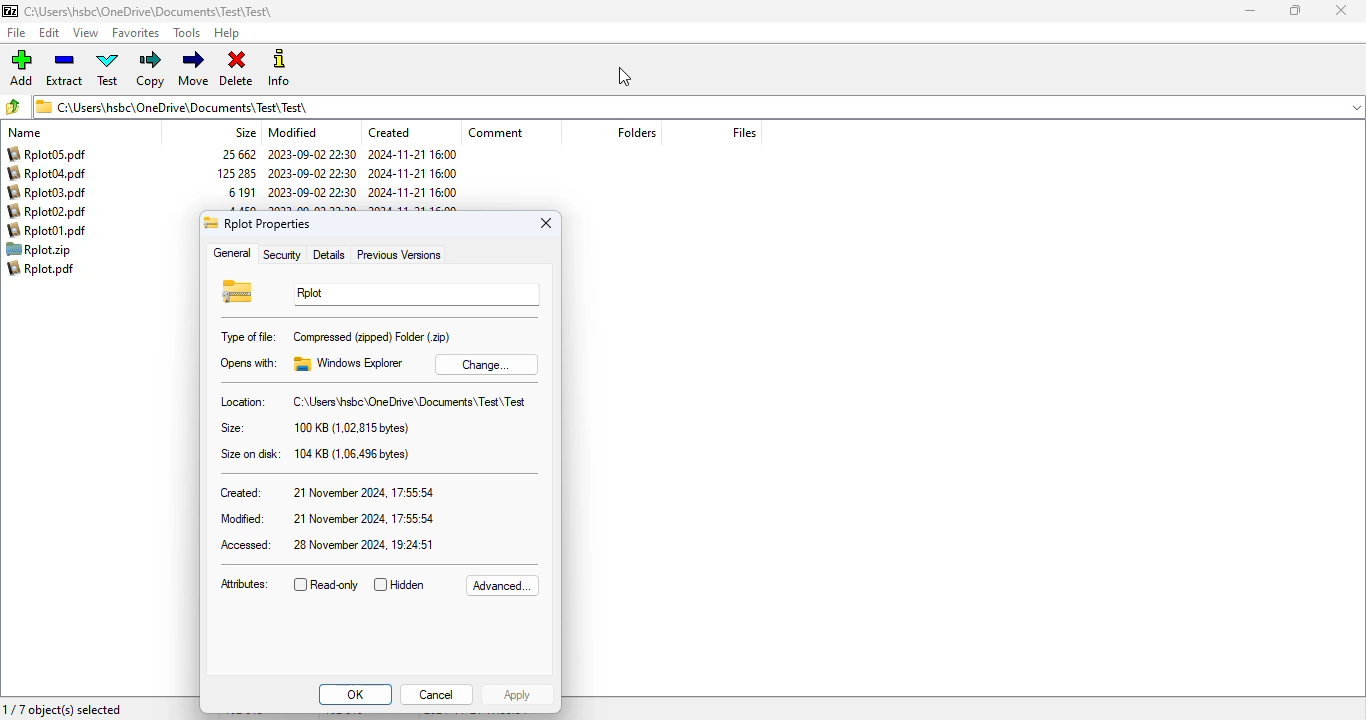 The image size is (1366, 720). What do you see at coordinates (324, 585) in the screenshot?
I see `read-only` at bounding box center [324, 585].